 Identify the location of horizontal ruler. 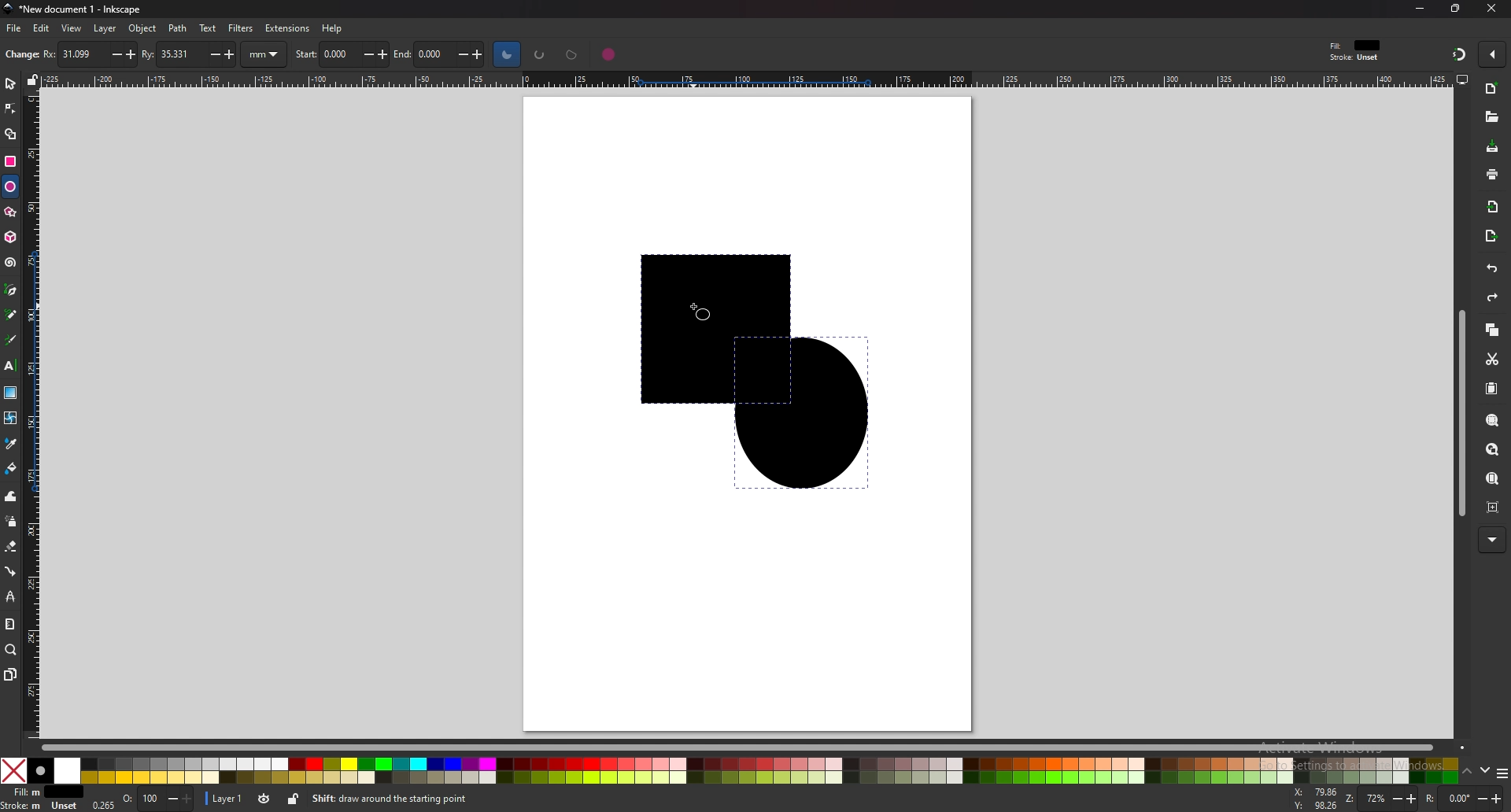
(739, 79).